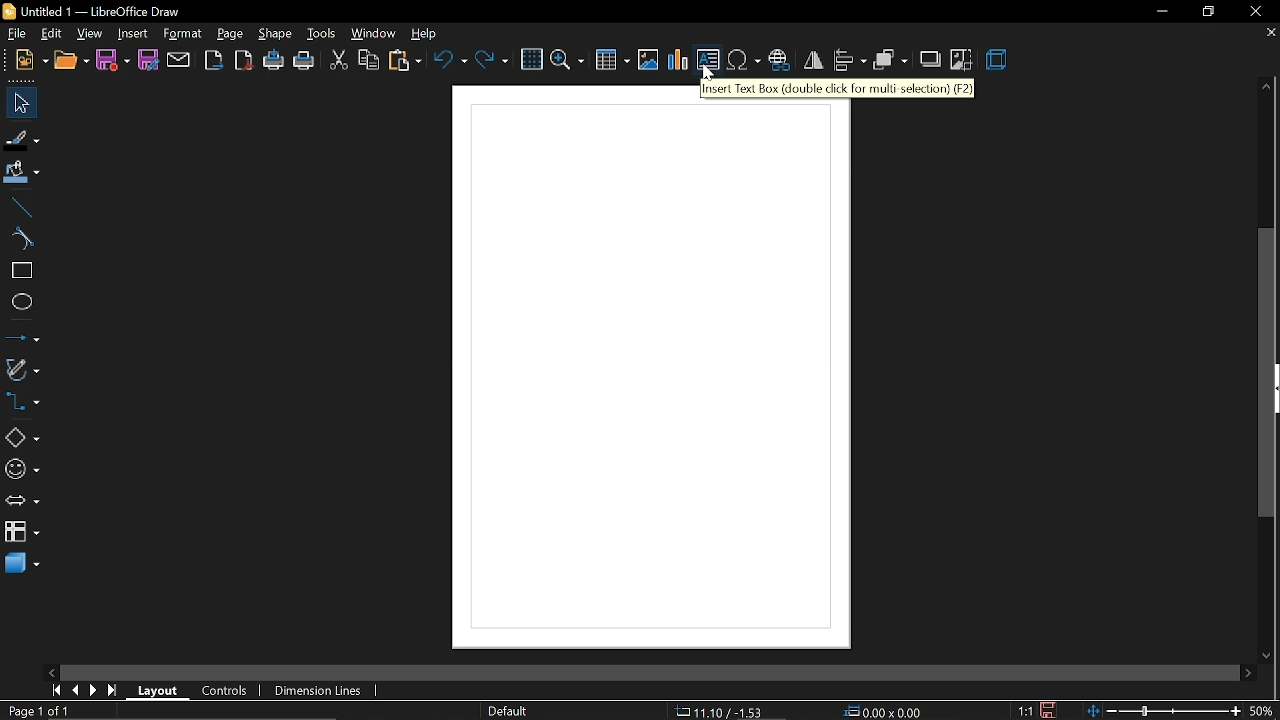 The image size is (1280, 720). Describe the element at coordinates (21, 569) in the screenshot. I see `3d shapes` at that location.